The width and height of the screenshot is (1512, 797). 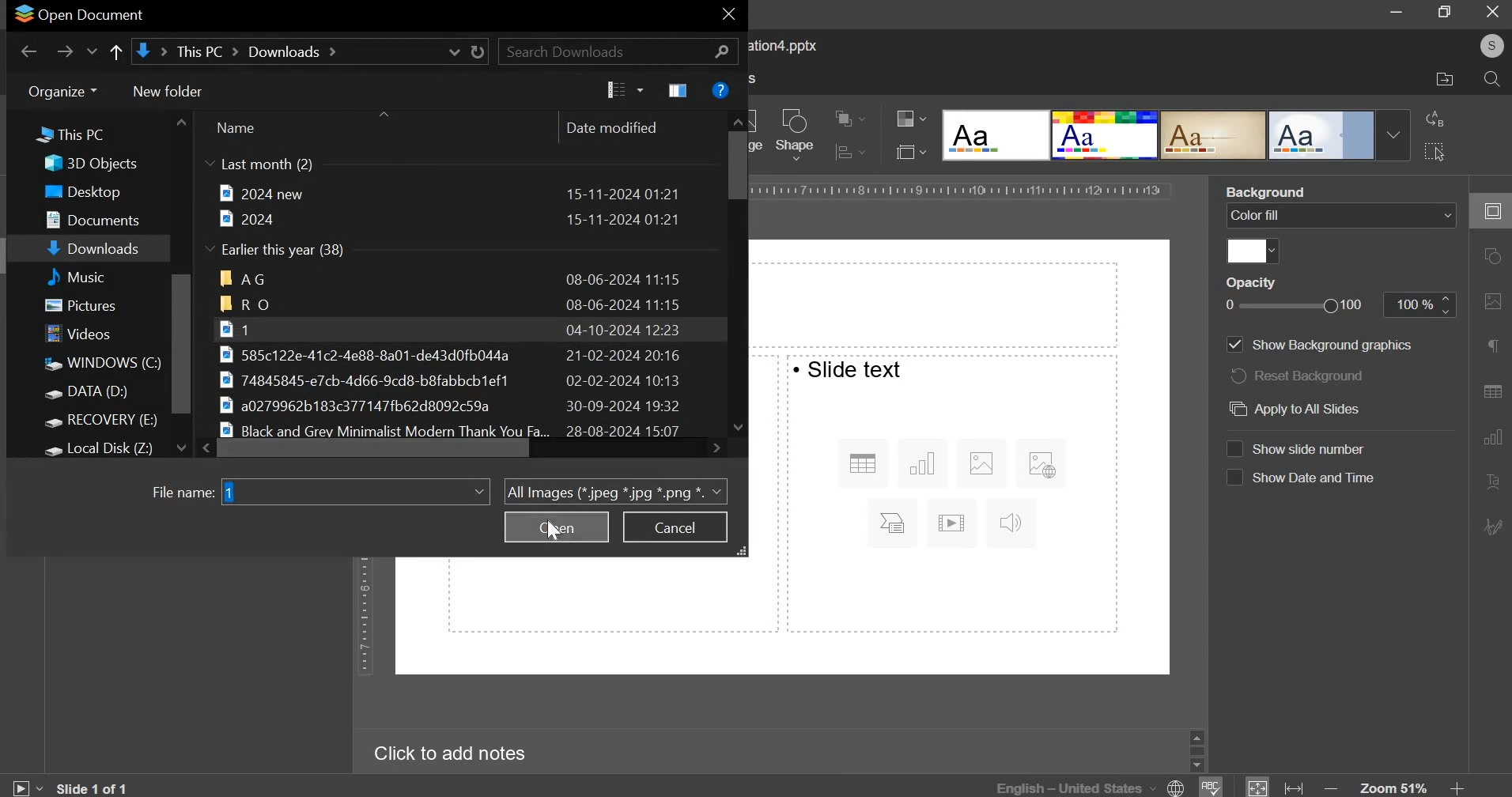 I want to click on Drop-down , so click(x=1393, y=135).